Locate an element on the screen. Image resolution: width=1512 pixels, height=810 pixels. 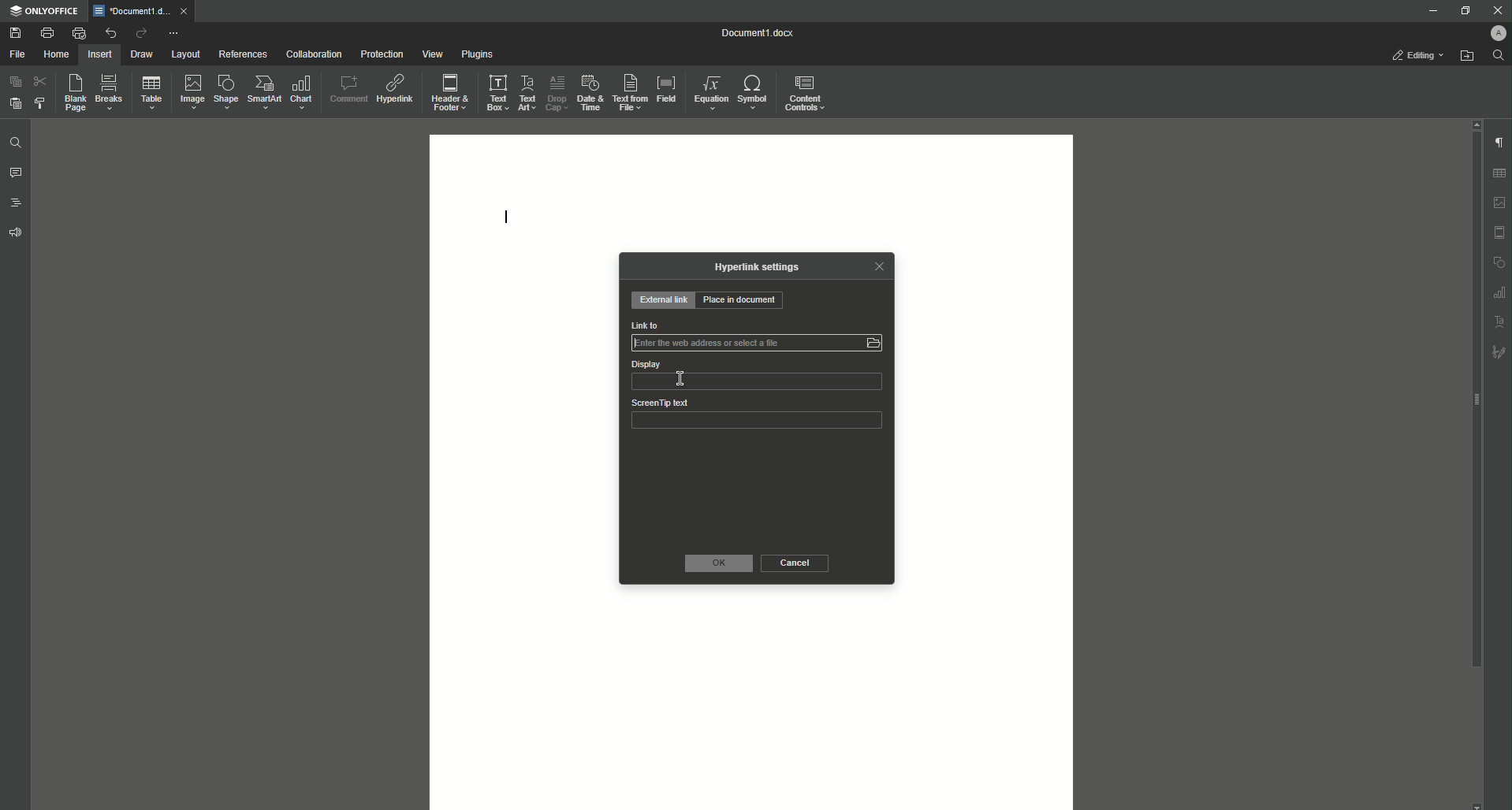
ScreenTip text is located at coordinates (661, 403).